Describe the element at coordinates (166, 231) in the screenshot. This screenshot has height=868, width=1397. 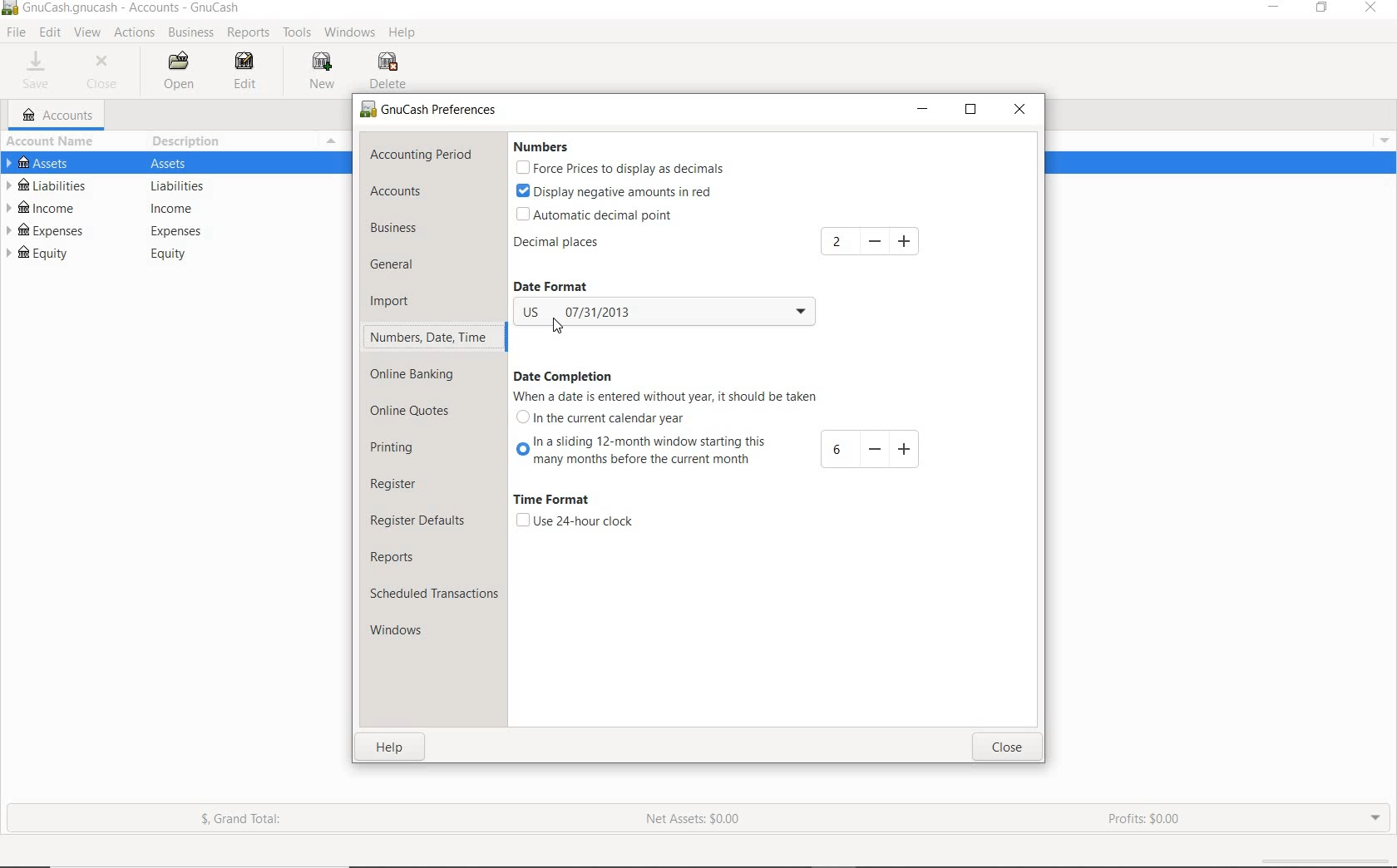
I see `EXPENSES` at that location.